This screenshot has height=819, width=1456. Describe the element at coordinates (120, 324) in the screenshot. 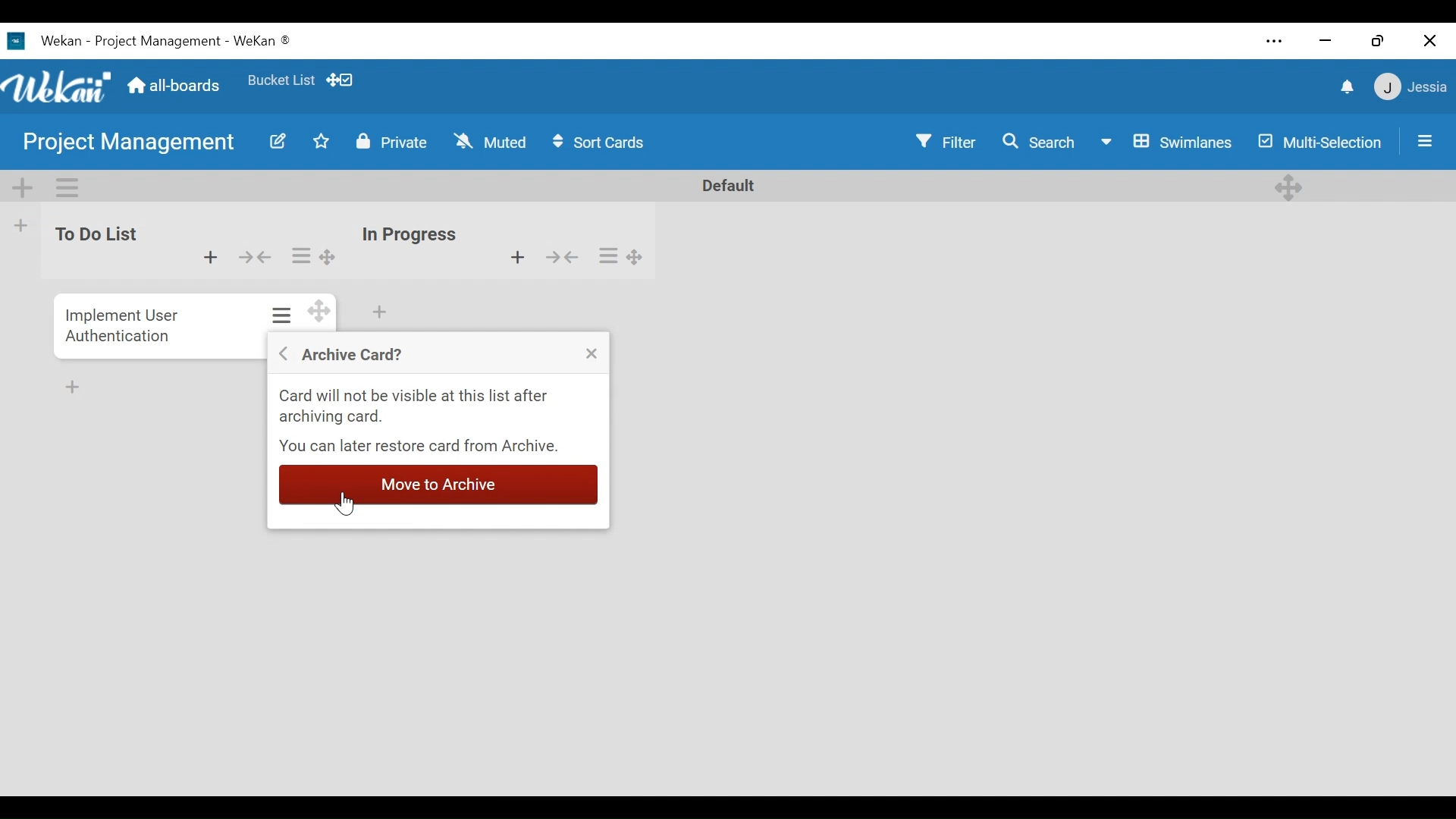

I see `Card` at that location.